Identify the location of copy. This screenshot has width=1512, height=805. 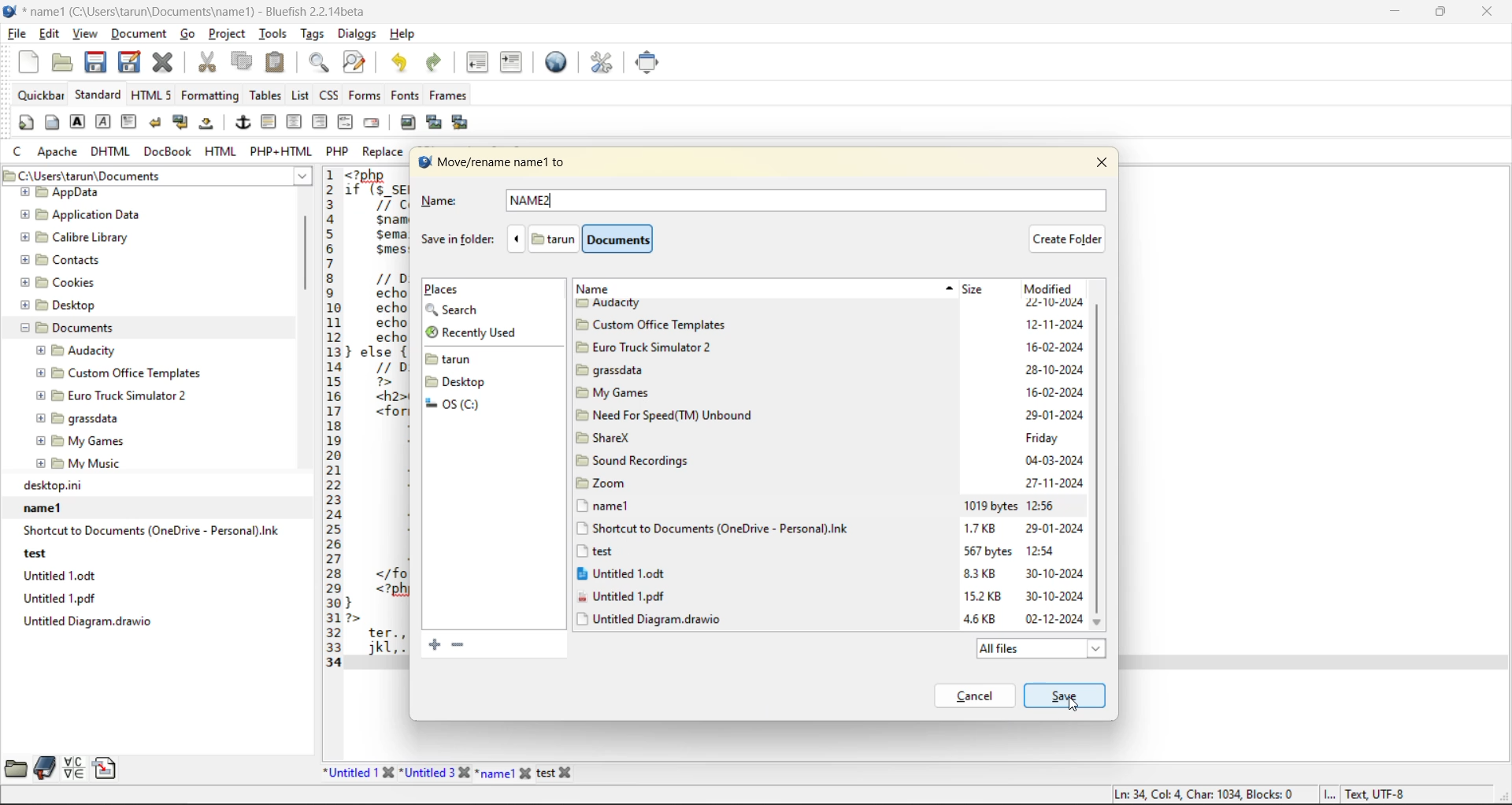
(244, 62).